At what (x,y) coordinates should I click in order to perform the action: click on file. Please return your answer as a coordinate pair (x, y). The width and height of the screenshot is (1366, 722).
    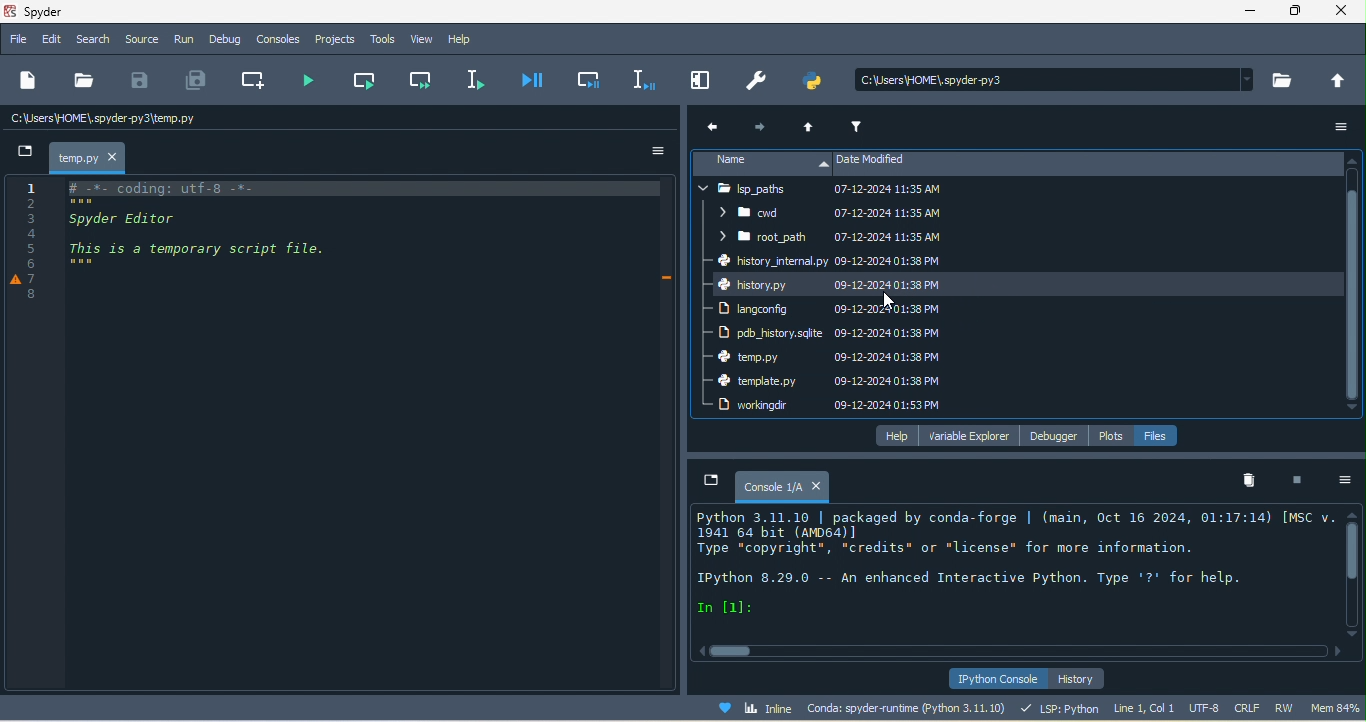
    Looking at the image, I should click on (15, 42).